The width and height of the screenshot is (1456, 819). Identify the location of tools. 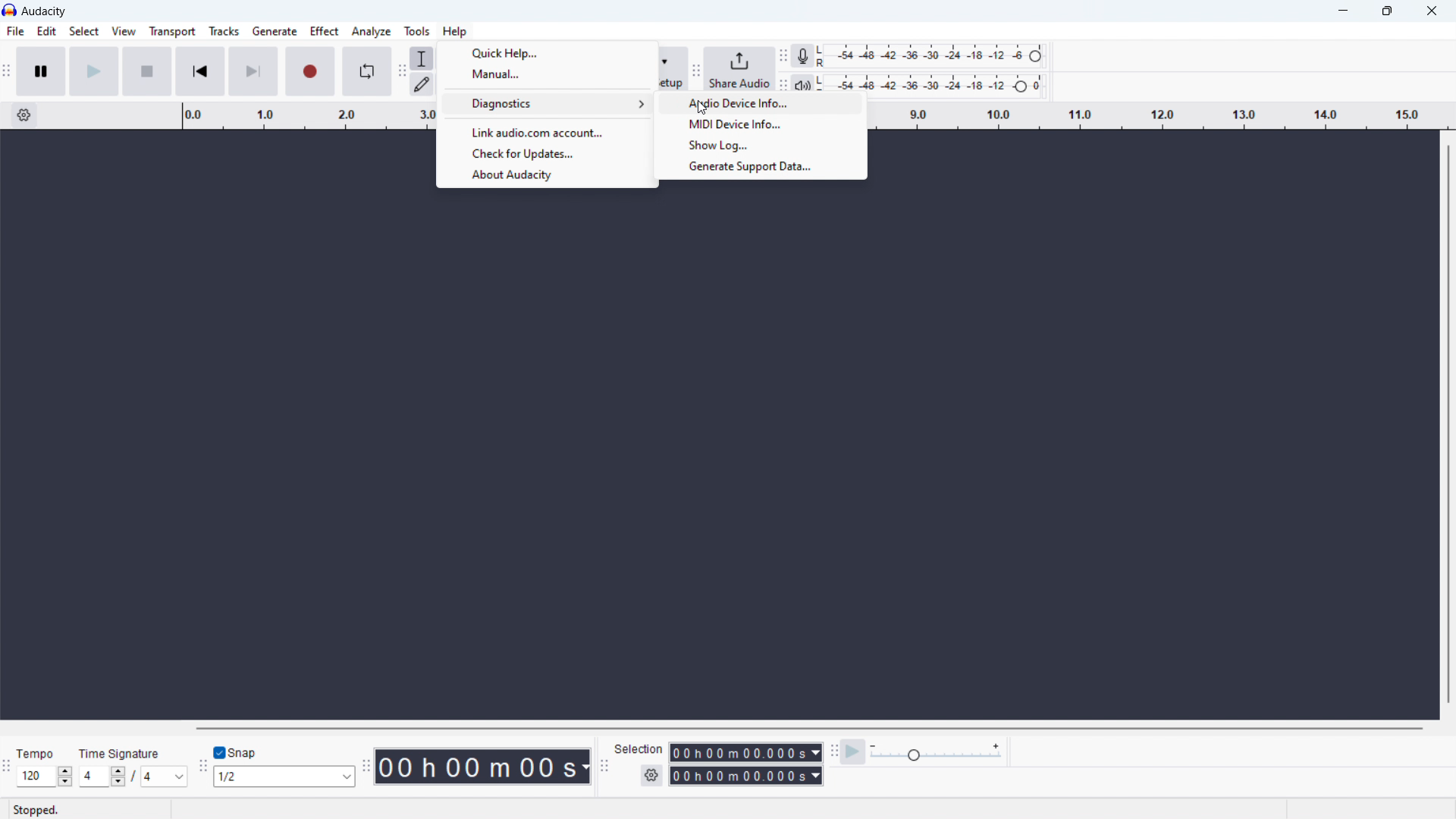
(415, 31).